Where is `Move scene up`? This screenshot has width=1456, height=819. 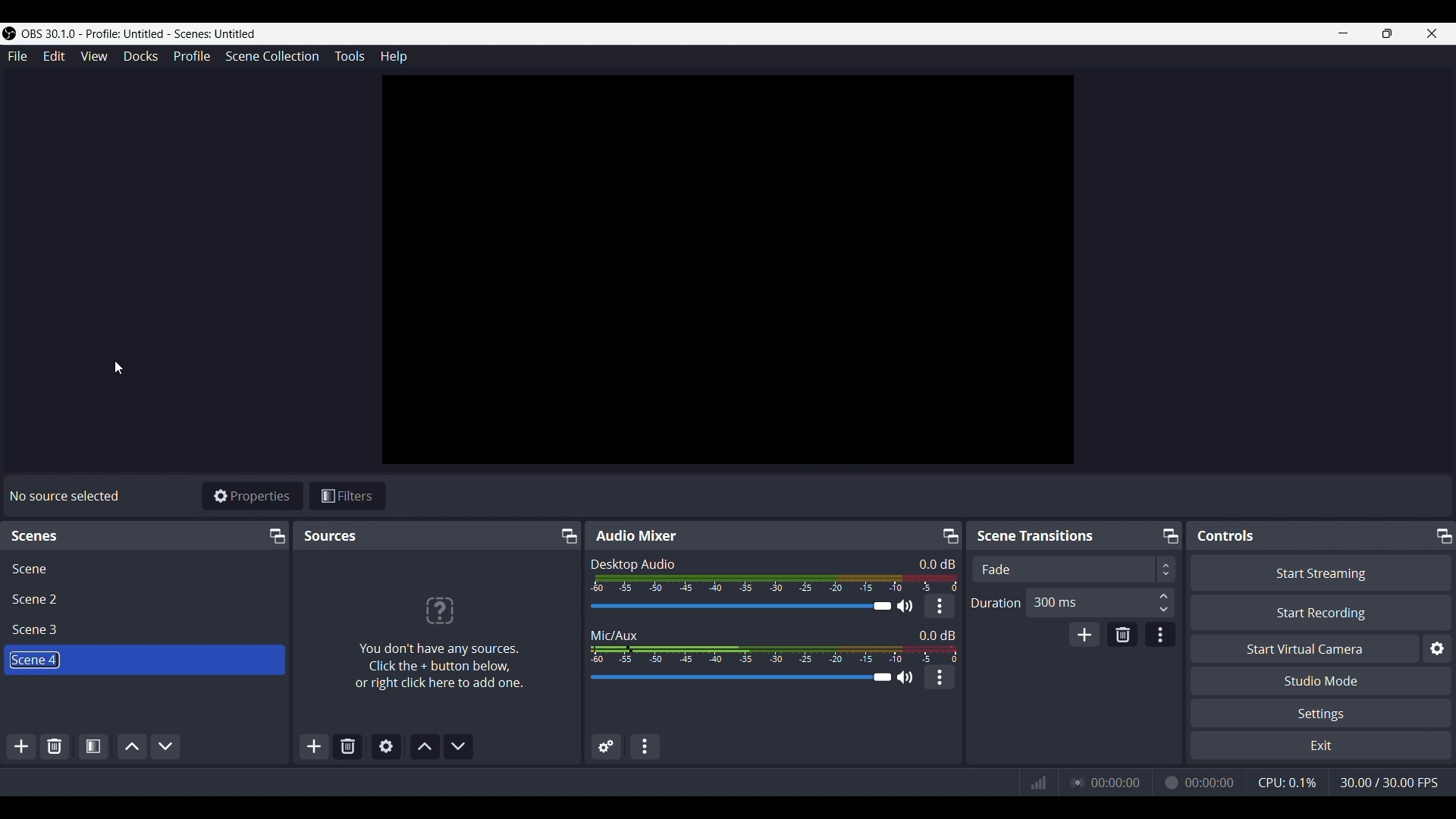 Move scene up is located at coordinates (132, 745).